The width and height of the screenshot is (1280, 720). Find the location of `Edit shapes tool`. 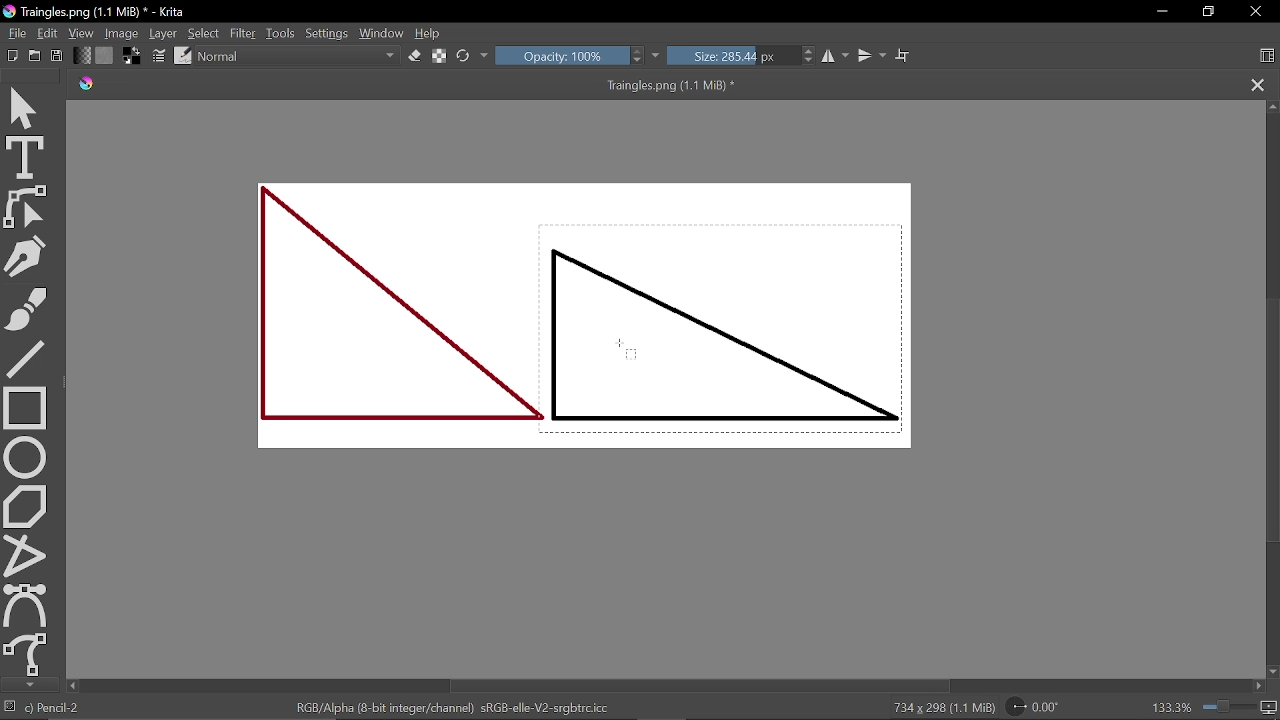

Edit shapes tool is located at coordinates (26, 206).